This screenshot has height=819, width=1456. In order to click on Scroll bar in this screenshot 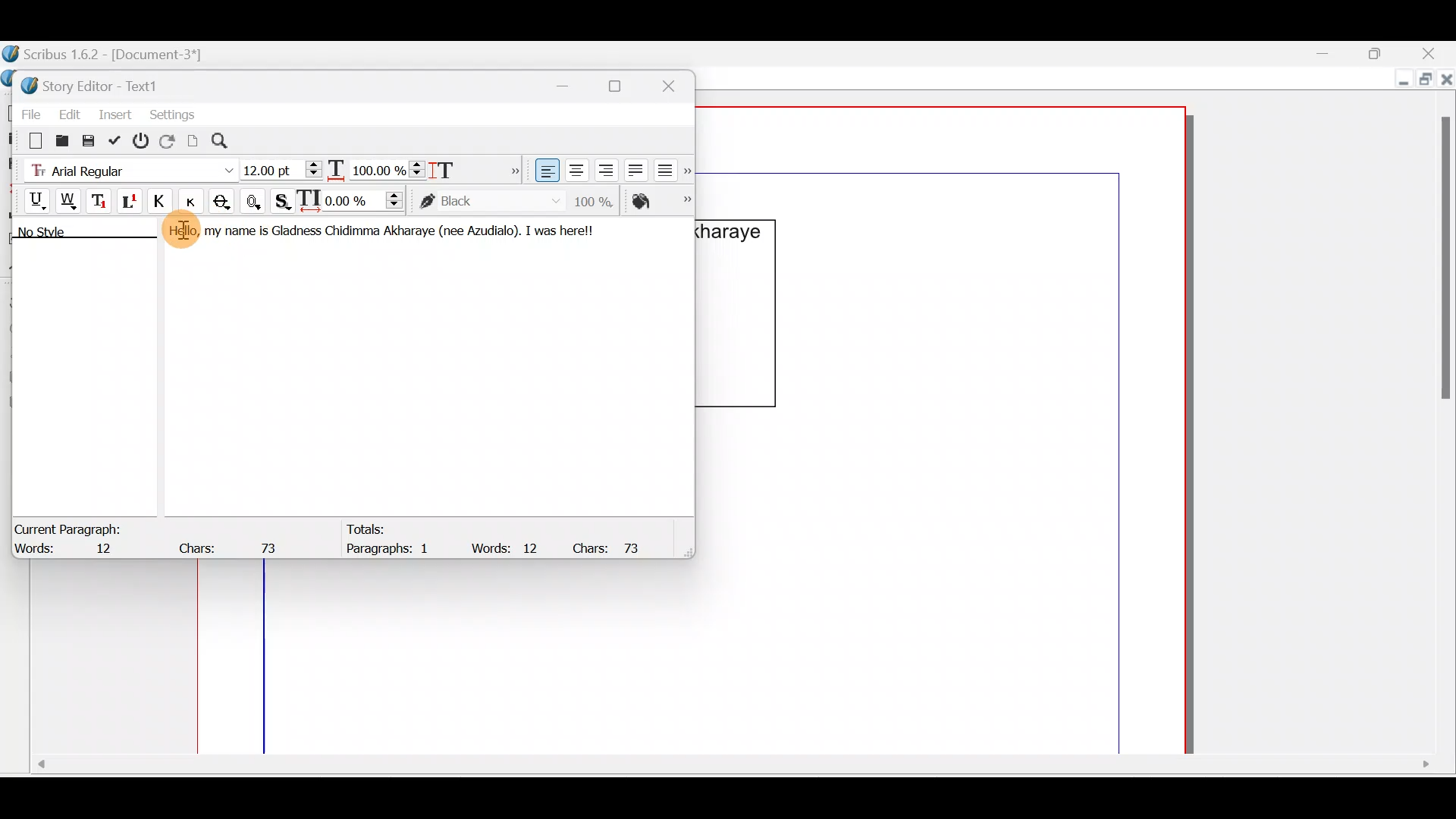, I will do `click(730, 770)`.